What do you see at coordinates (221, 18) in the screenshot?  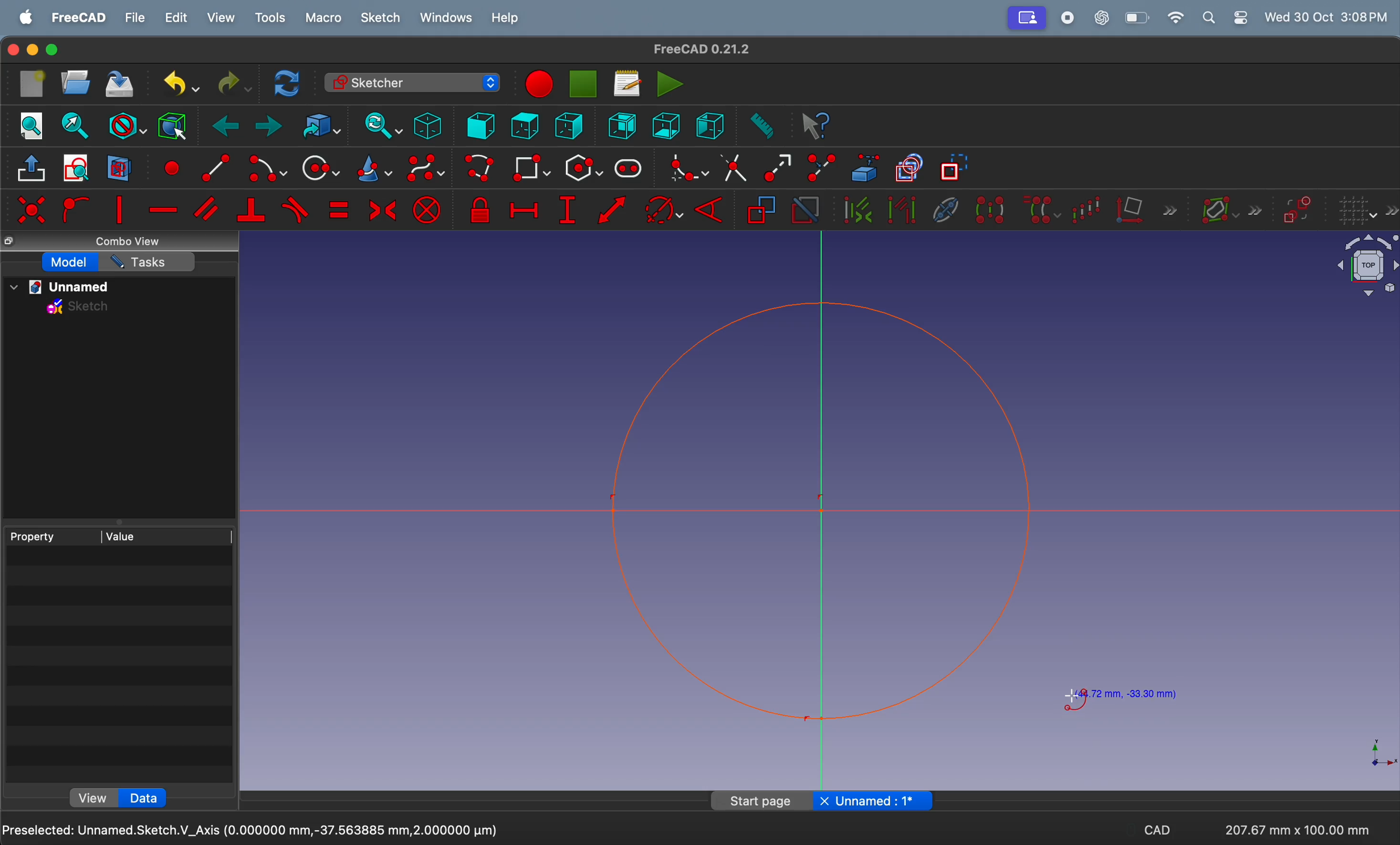 I see `view` at bounding box center [221, 18].